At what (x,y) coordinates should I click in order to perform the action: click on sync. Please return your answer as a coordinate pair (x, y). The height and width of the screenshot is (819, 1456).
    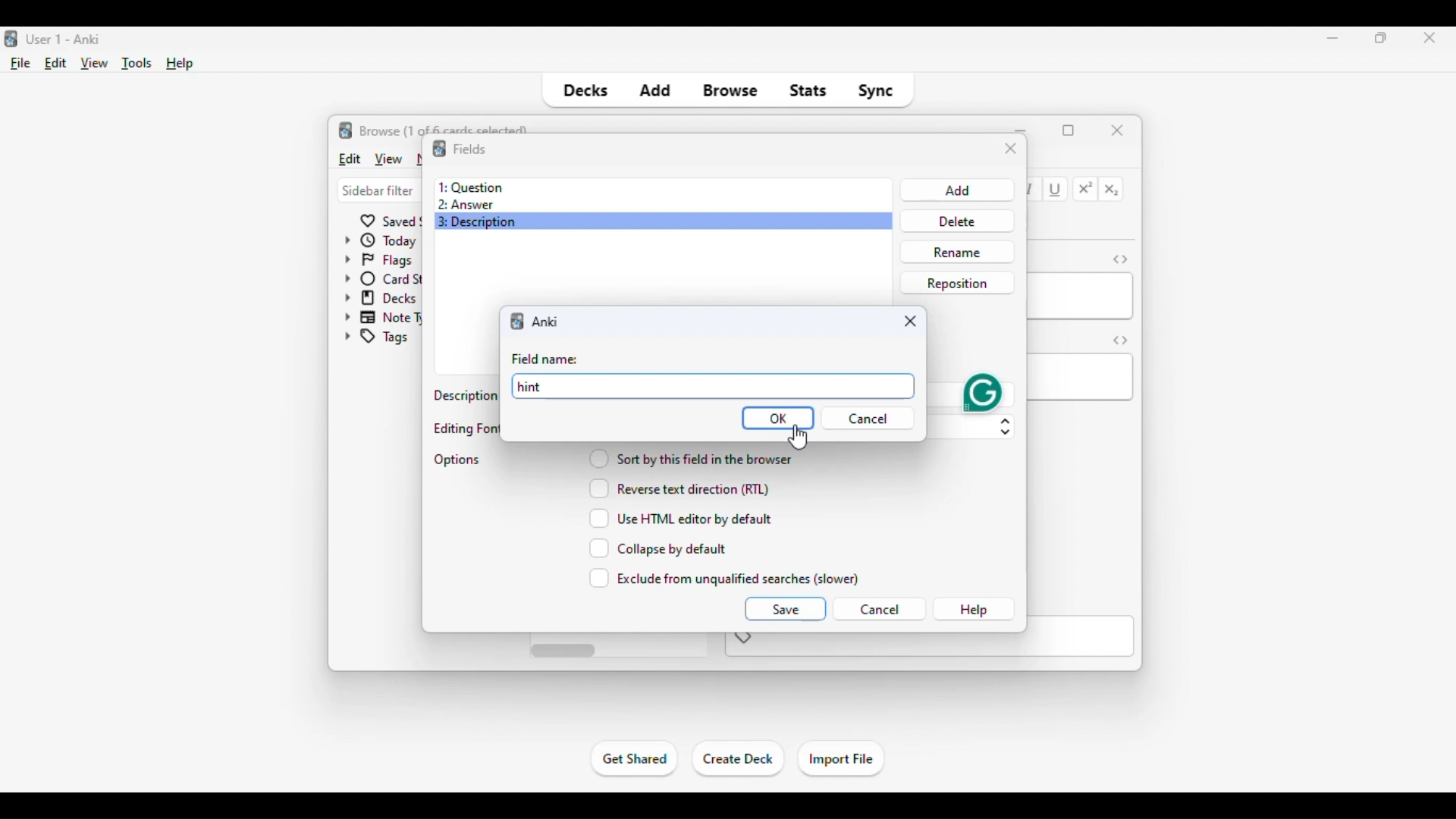
    Looking at the image, I should click on (875, 91).